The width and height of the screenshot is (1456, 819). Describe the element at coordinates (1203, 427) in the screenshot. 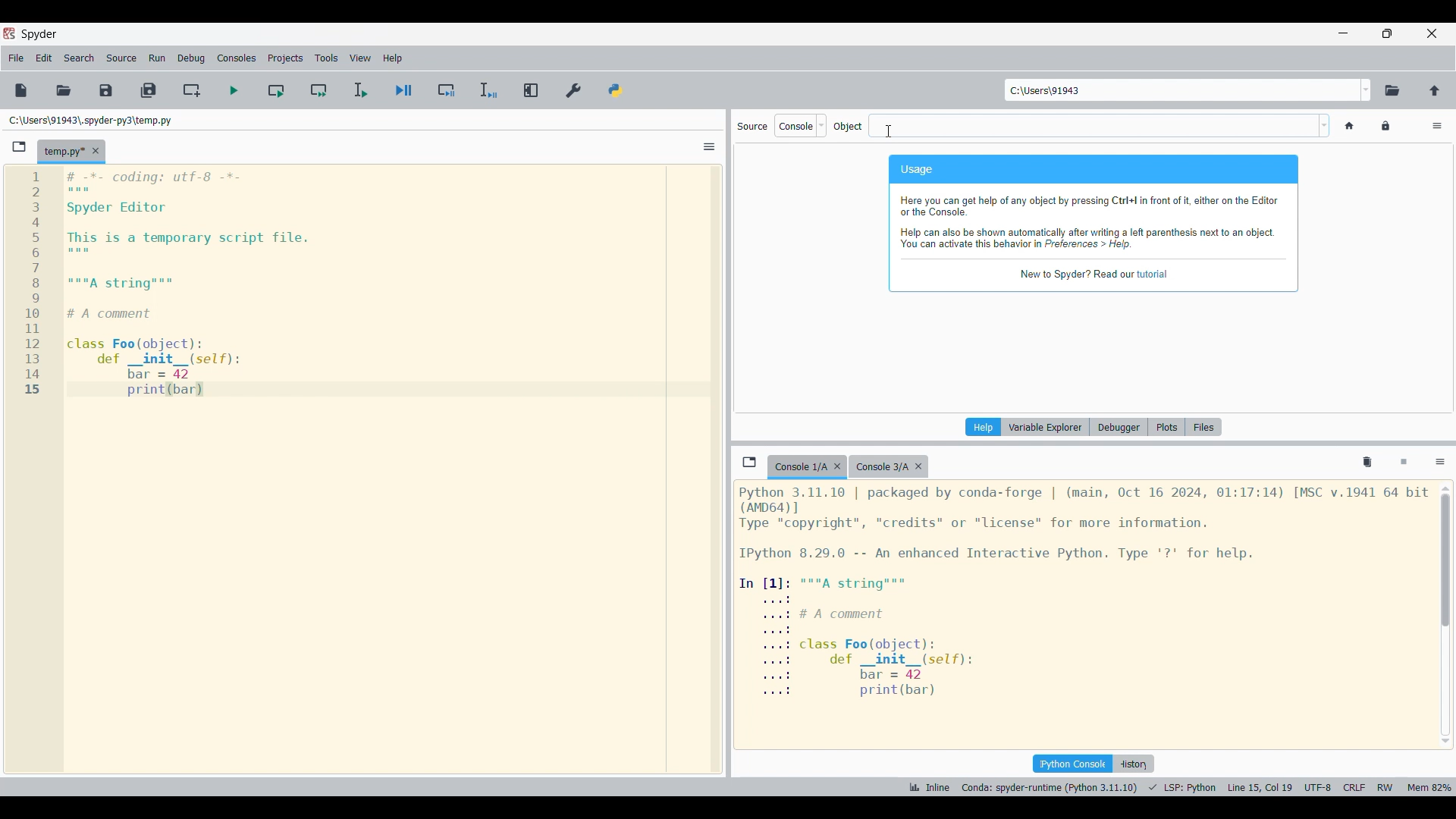

I see `Files` at that location.